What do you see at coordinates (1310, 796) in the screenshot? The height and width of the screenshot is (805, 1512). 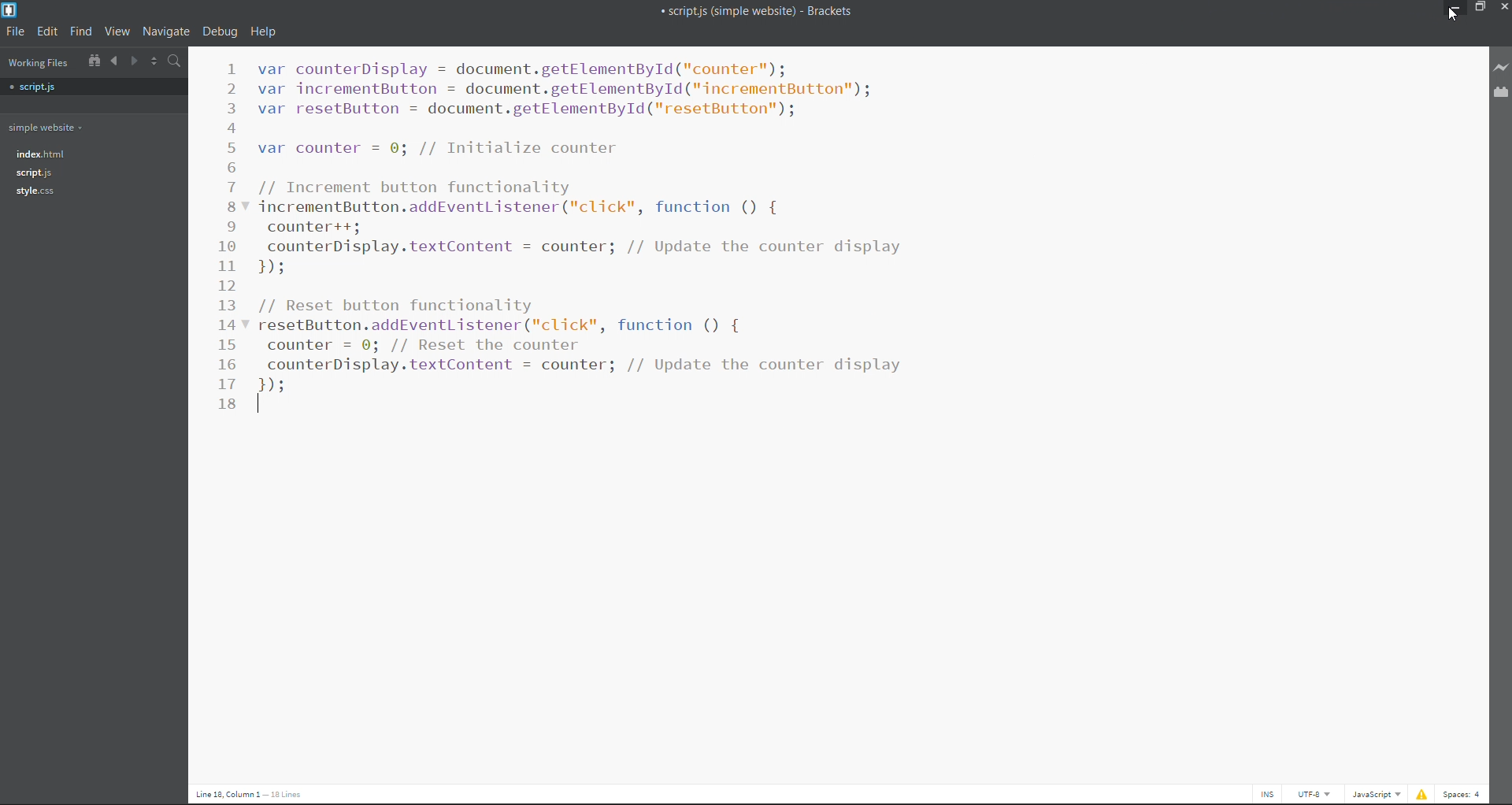 I see `UTF-8` at bounding box center [1310, 796].